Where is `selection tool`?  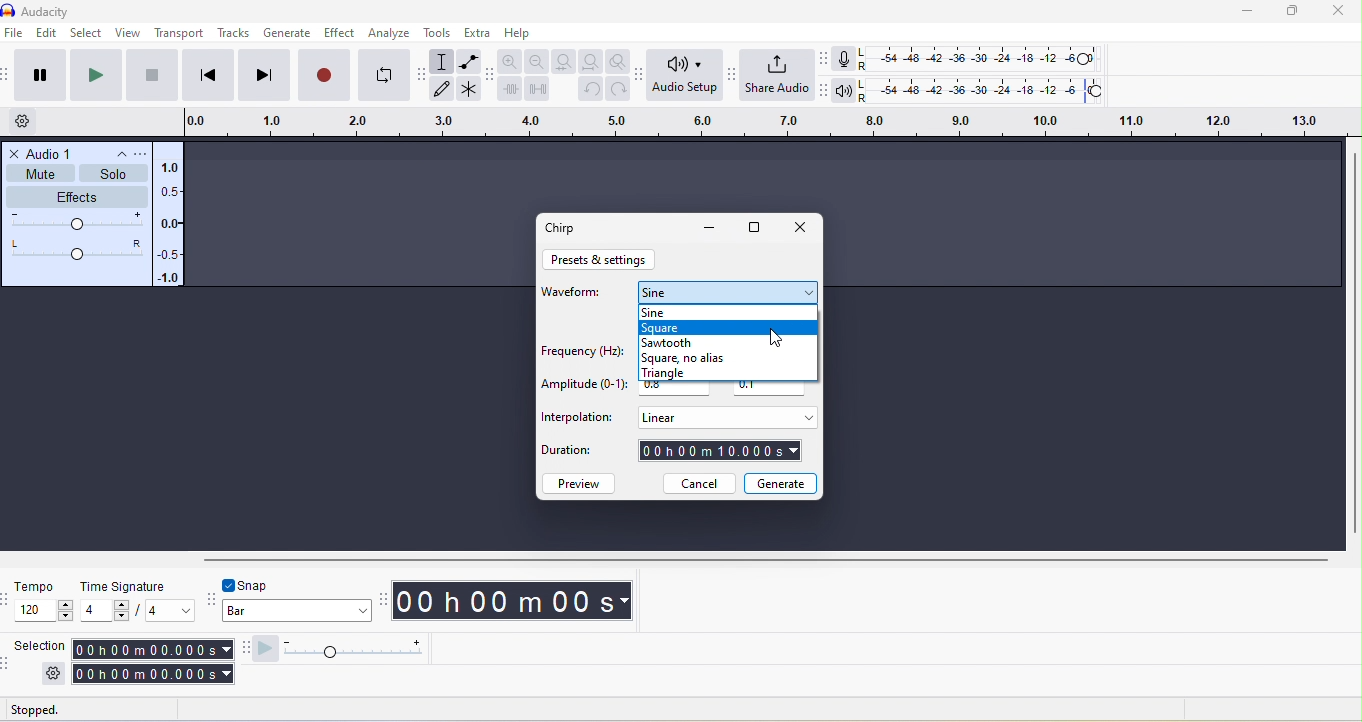 selection tool is located at coordinates (444, 61).